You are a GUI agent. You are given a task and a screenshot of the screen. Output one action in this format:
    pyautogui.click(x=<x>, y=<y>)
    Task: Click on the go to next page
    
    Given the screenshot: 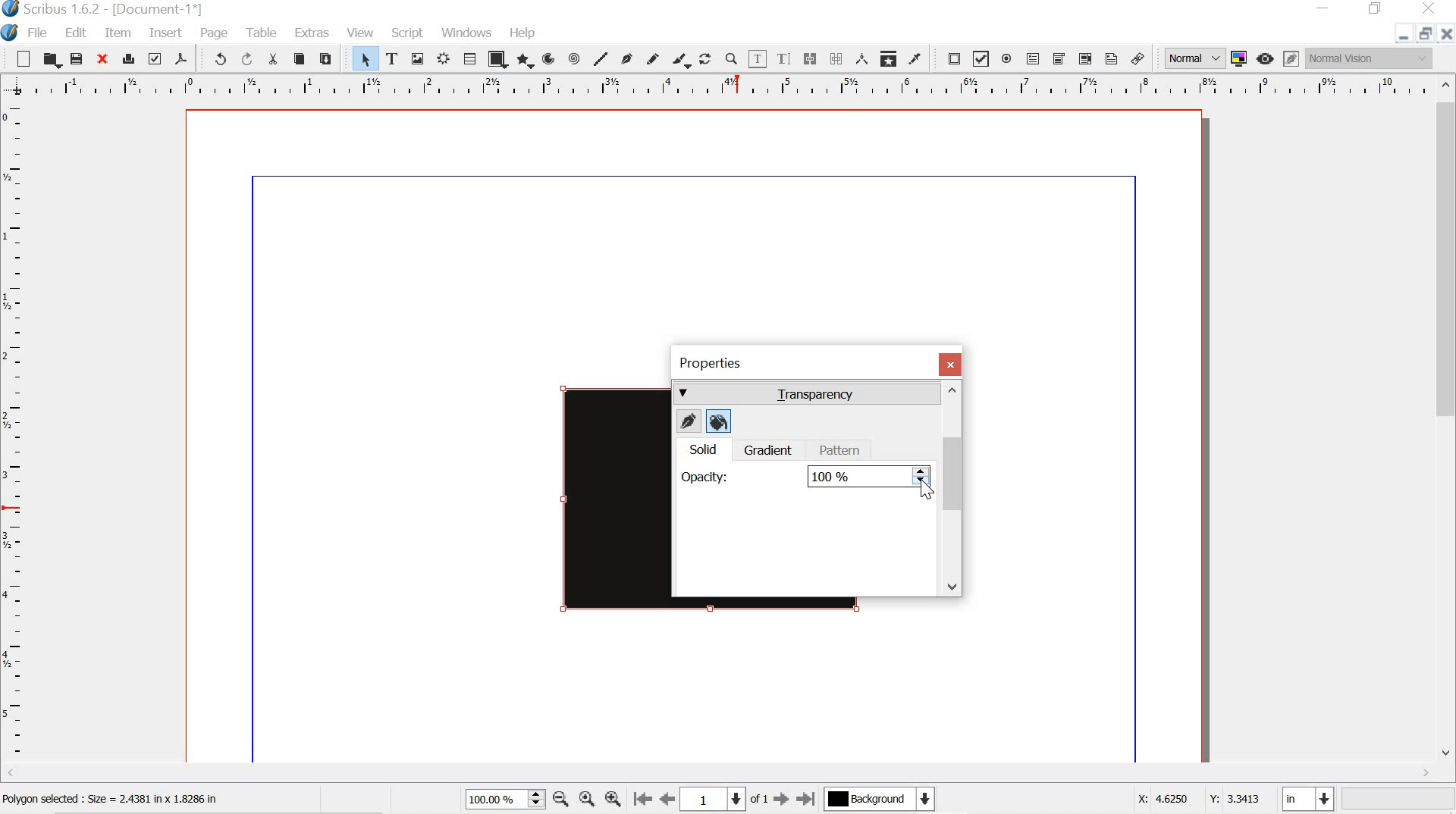 What is the action you would take?
    pyautogui.click(x=782, y=800)
    